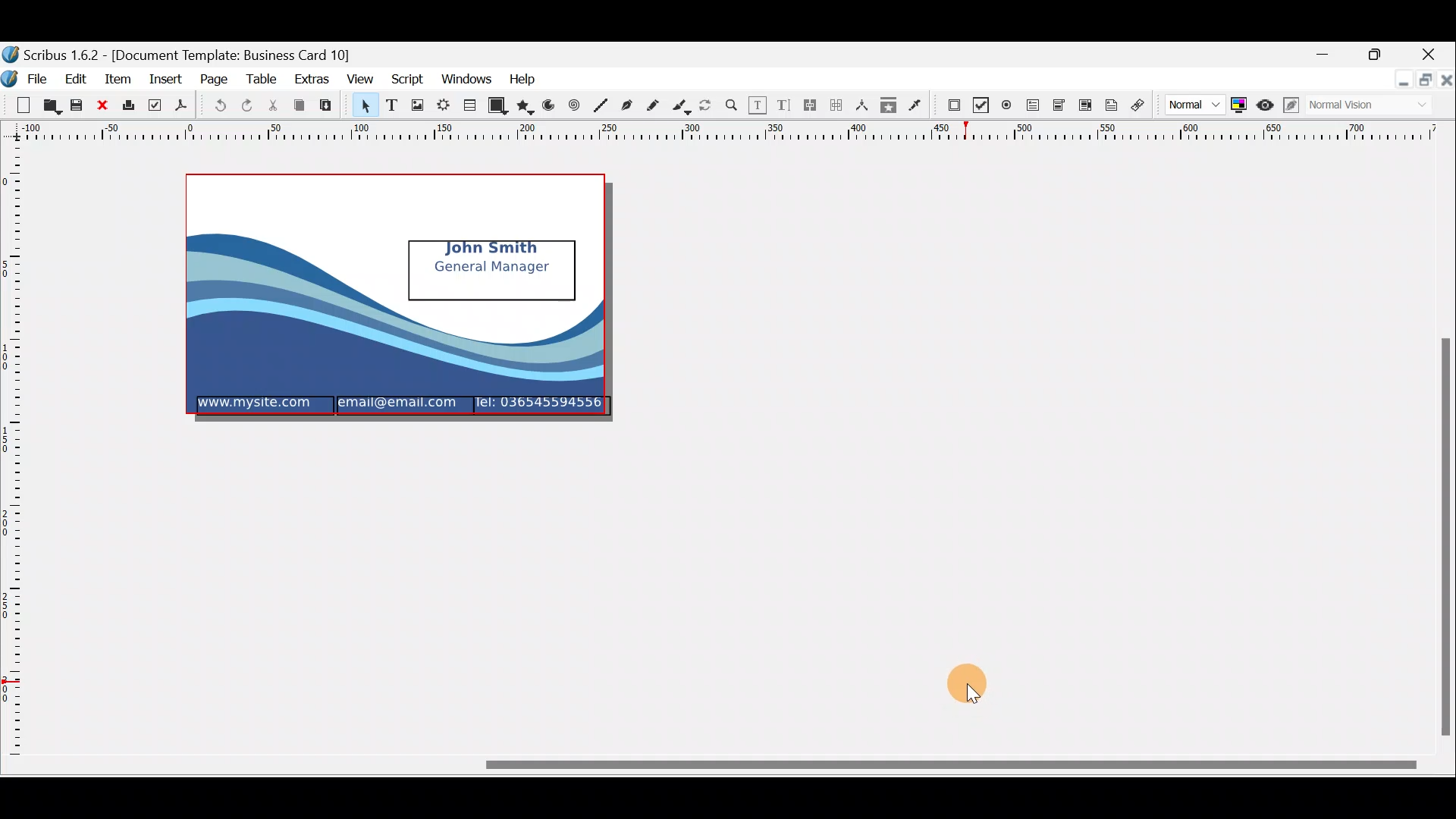 This screenshot has width=1456, height=819. Describe the element at coordinates (400, 292) in the screenshot. I see ` mockup of a business card` at that location.